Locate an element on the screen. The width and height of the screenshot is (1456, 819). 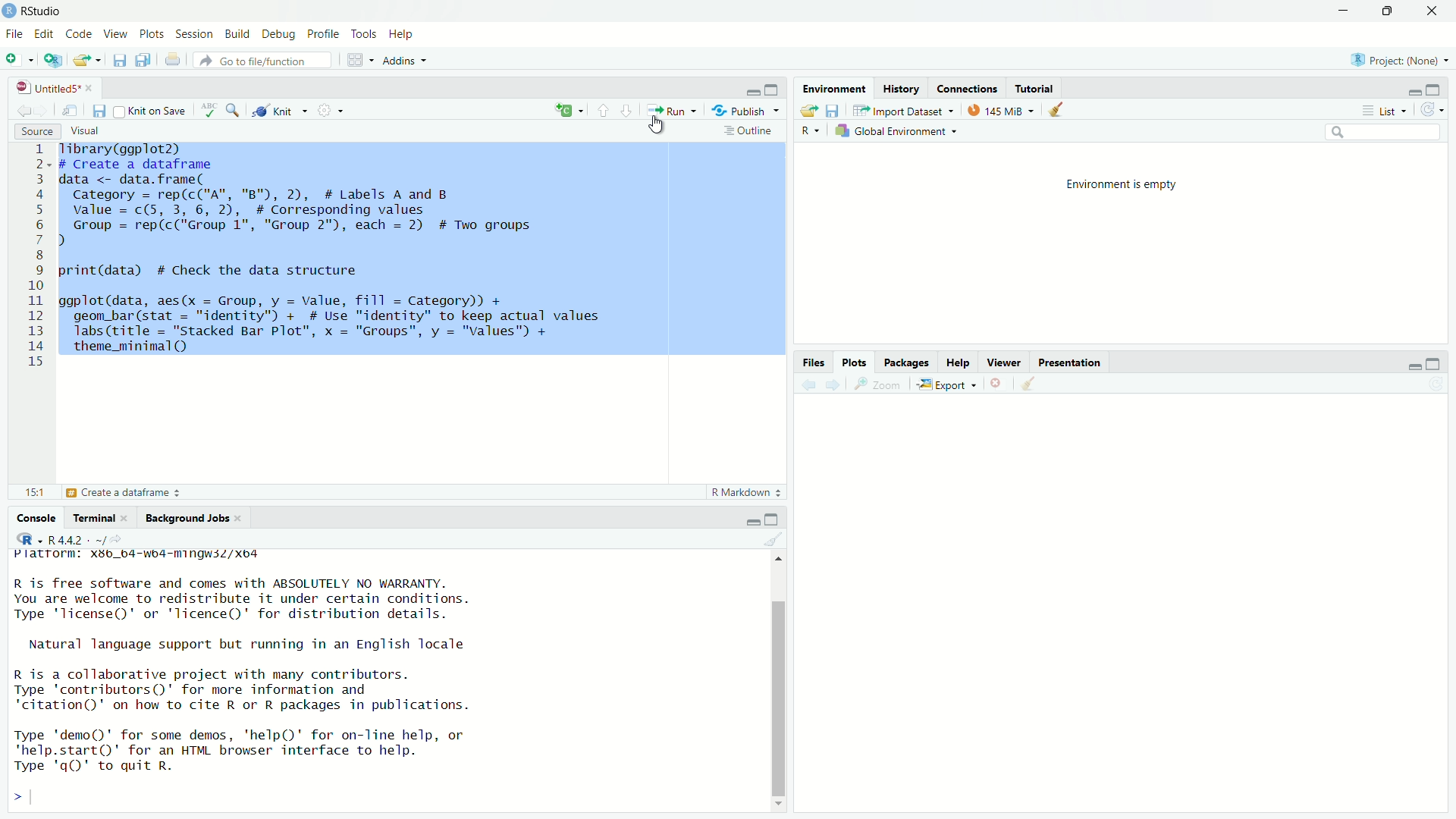
Save workspace as is located at coordinates (834, 111).